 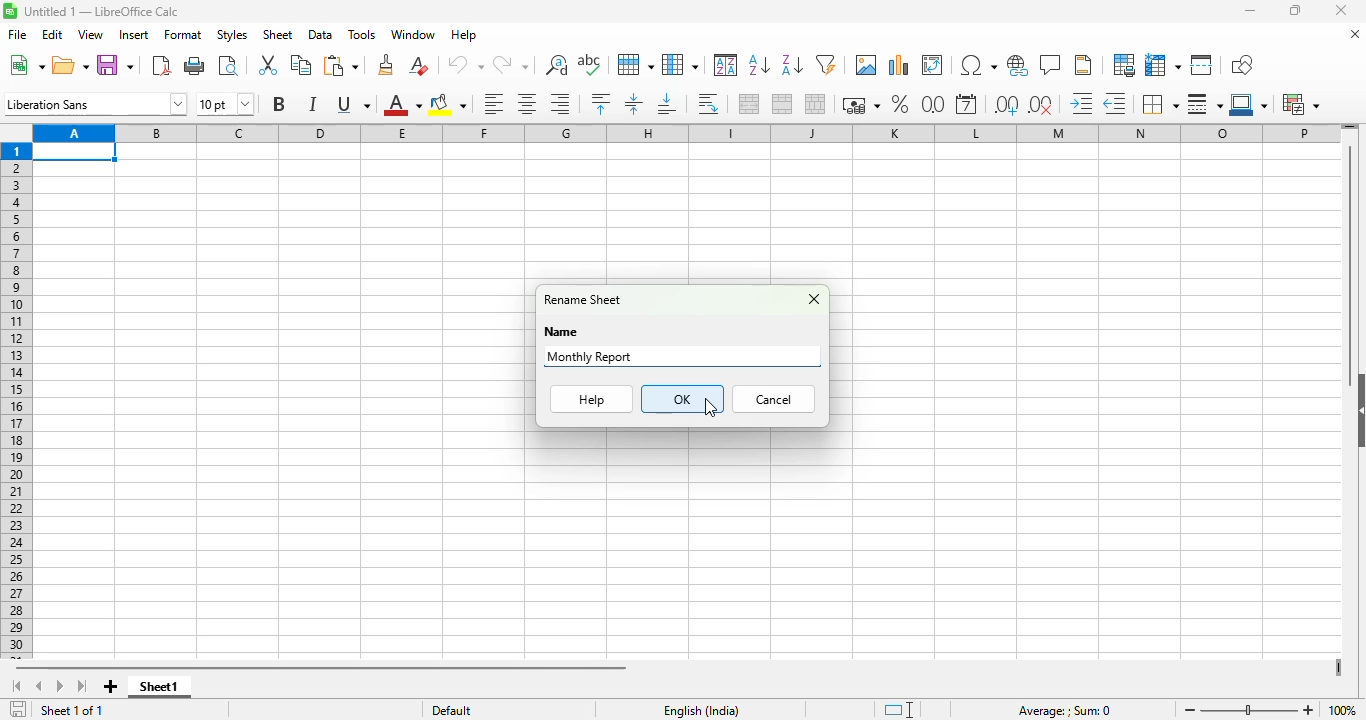 I want to click on decrease indent, so click(x=1114, y=103).